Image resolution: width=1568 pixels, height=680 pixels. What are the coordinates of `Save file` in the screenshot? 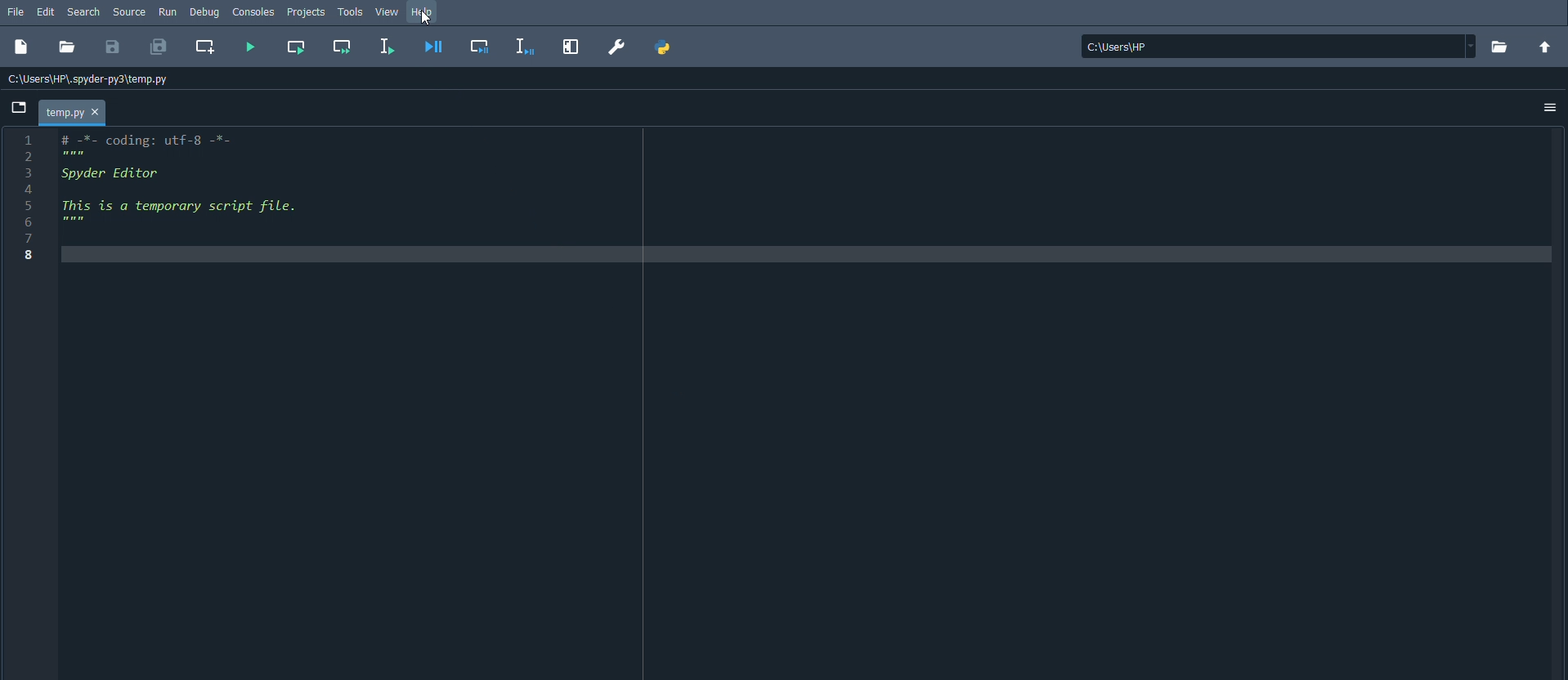 It's located at (114, 46).